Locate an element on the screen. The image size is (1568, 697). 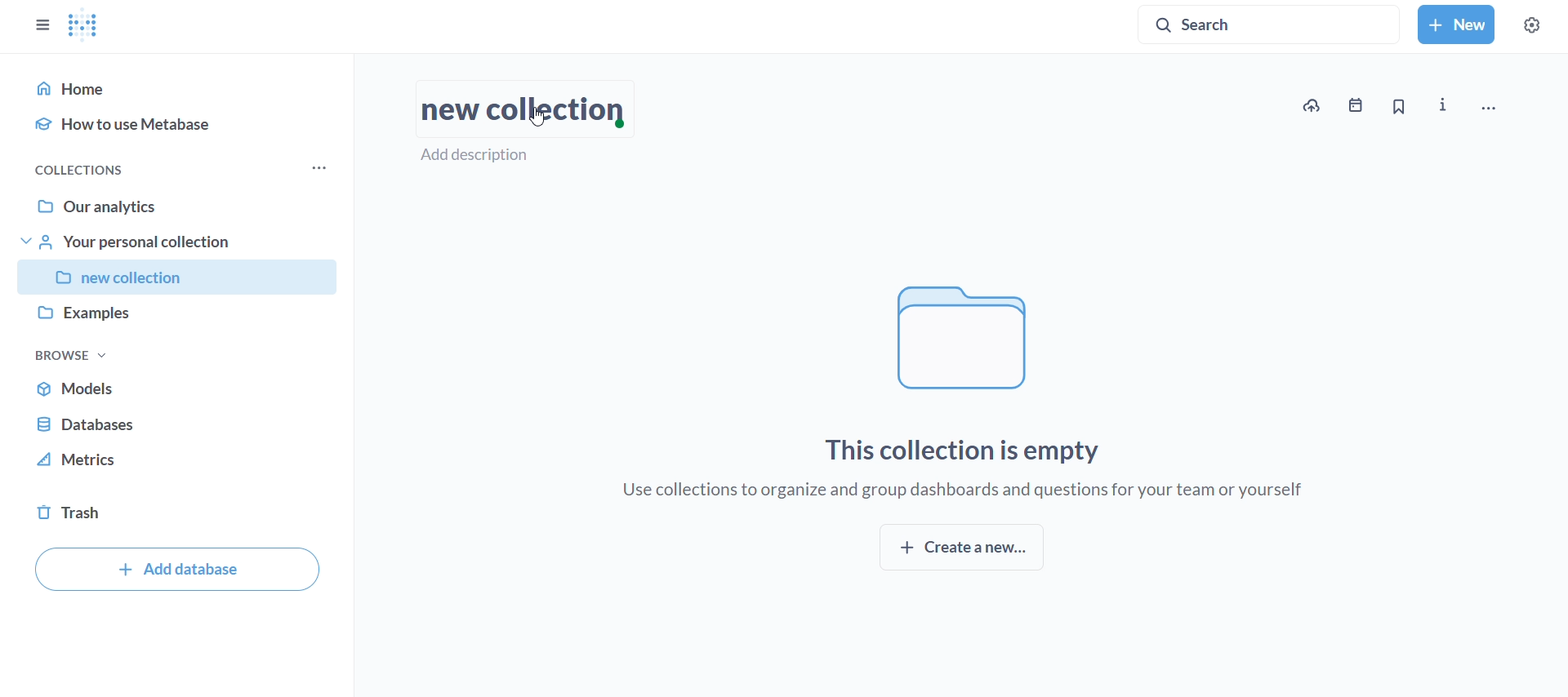
close sidebar is located at coordinates (36, 21).